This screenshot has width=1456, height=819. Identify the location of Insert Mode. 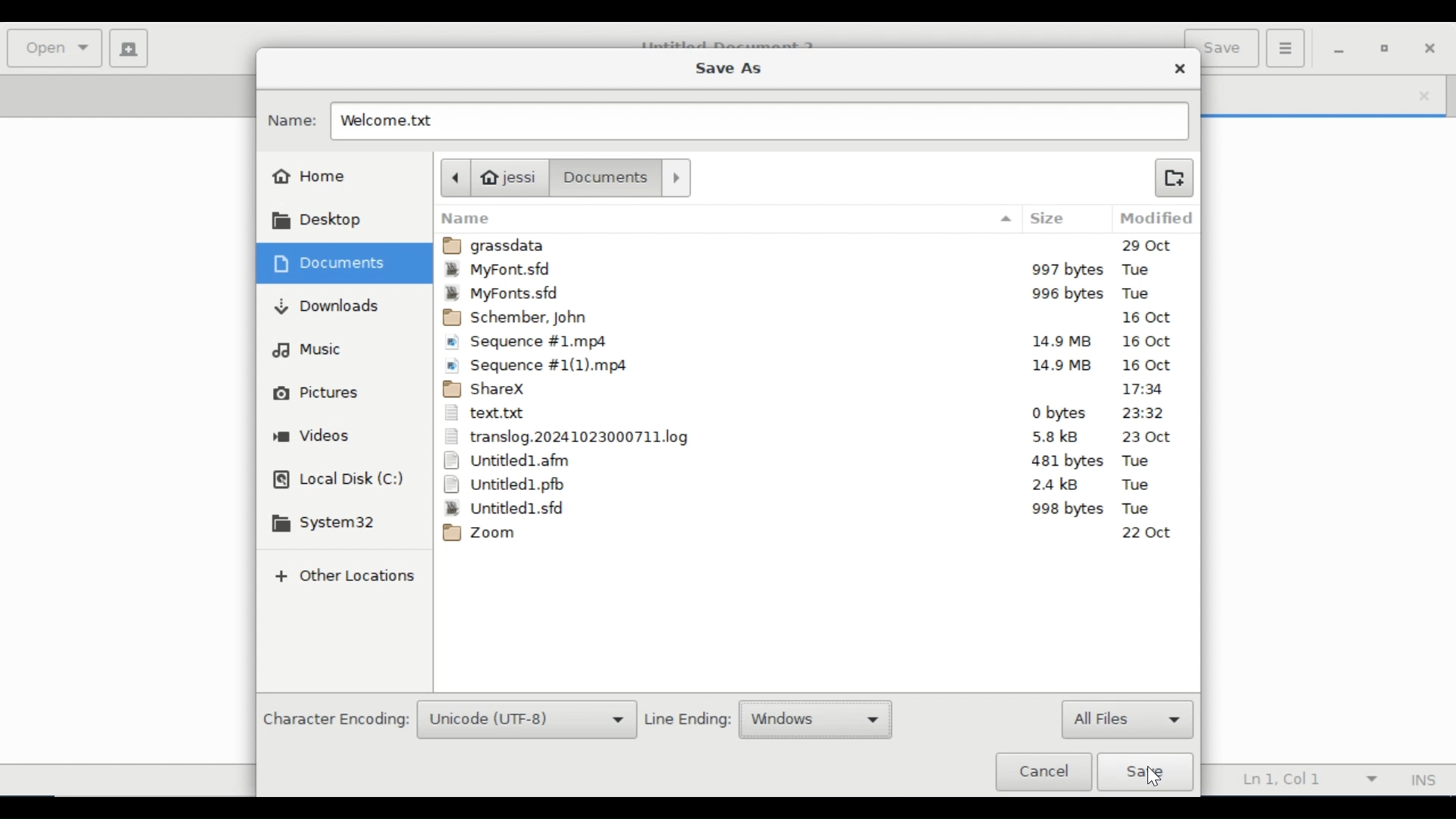
(1423, 780).